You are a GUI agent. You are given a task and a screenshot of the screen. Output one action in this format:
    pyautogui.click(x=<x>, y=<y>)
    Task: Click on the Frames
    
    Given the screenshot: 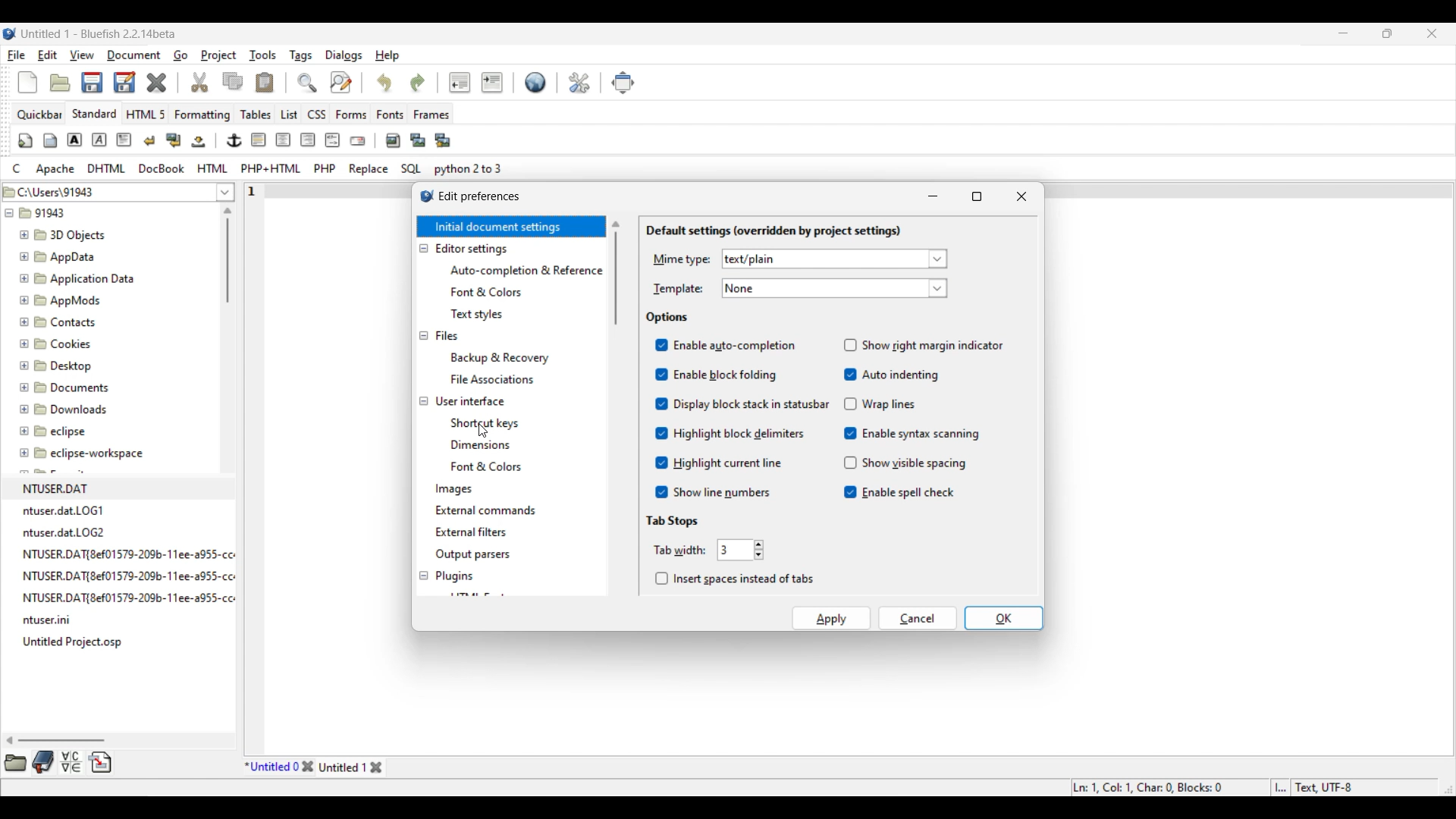 What is the action you would take?
    pyautogui.click(x=432, y=115)
    